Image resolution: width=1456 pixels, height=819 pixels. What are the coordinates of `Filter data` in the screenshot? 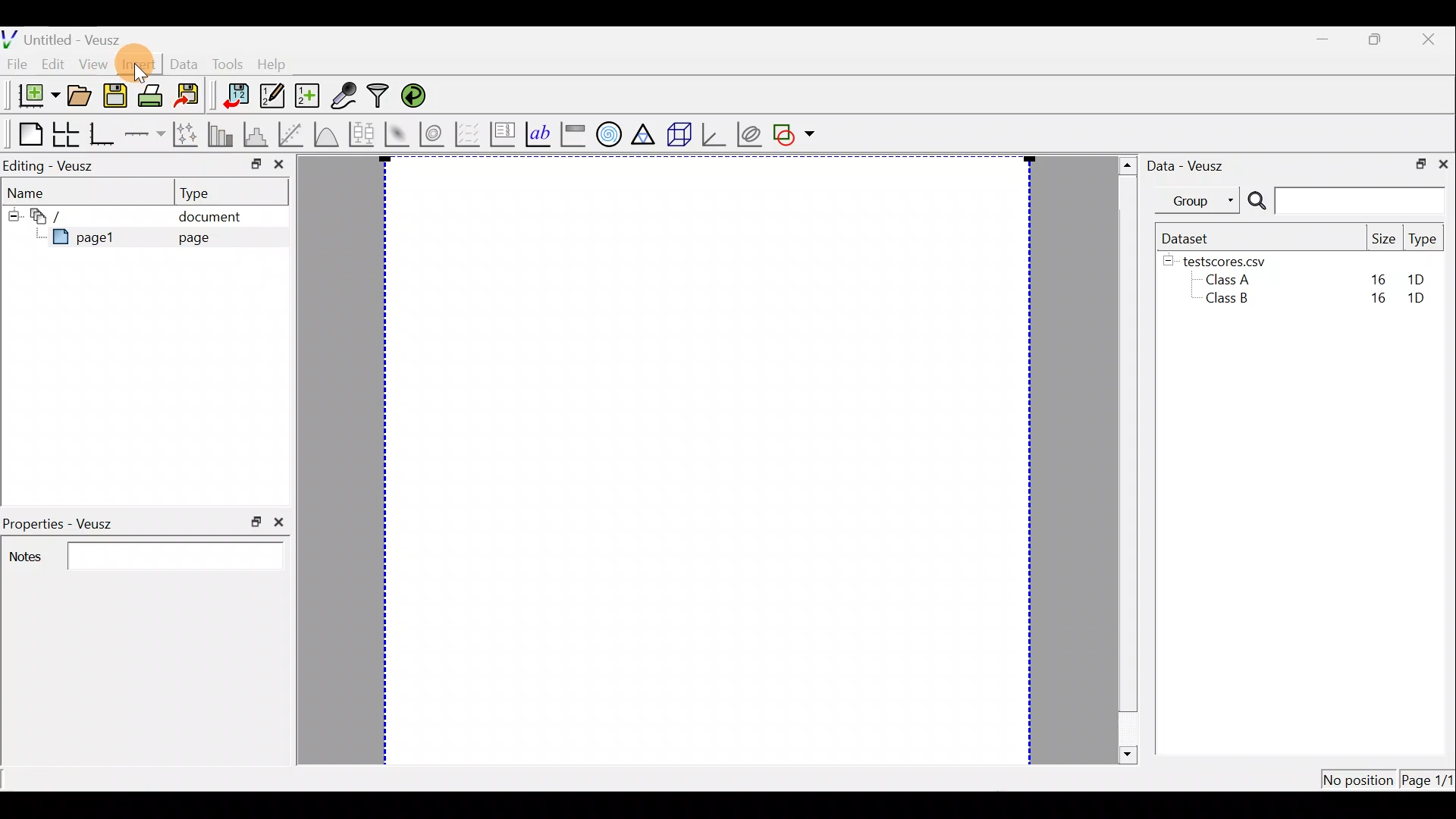 It's located at (379, 96).